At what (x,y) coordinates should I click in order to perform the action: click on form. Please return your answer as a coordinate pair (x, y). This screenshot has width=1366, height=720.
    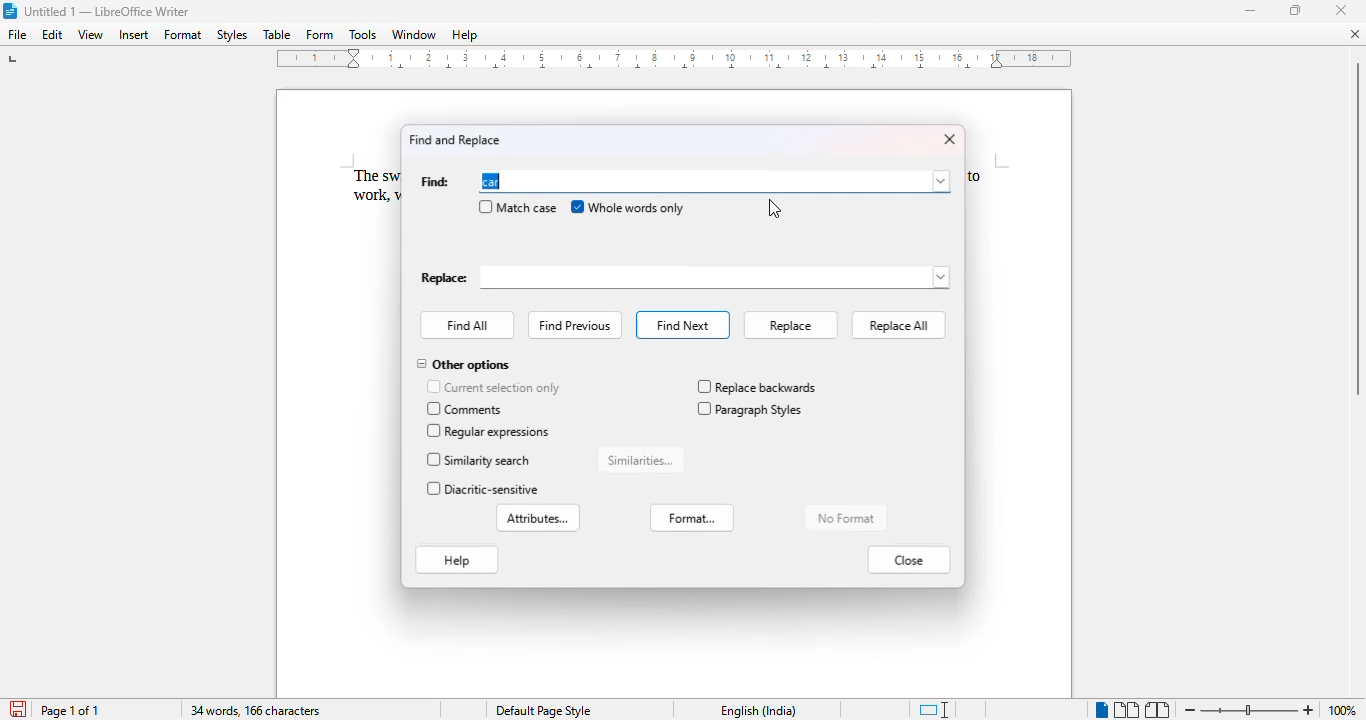
    Looking at the image, I should click on (320, 35).